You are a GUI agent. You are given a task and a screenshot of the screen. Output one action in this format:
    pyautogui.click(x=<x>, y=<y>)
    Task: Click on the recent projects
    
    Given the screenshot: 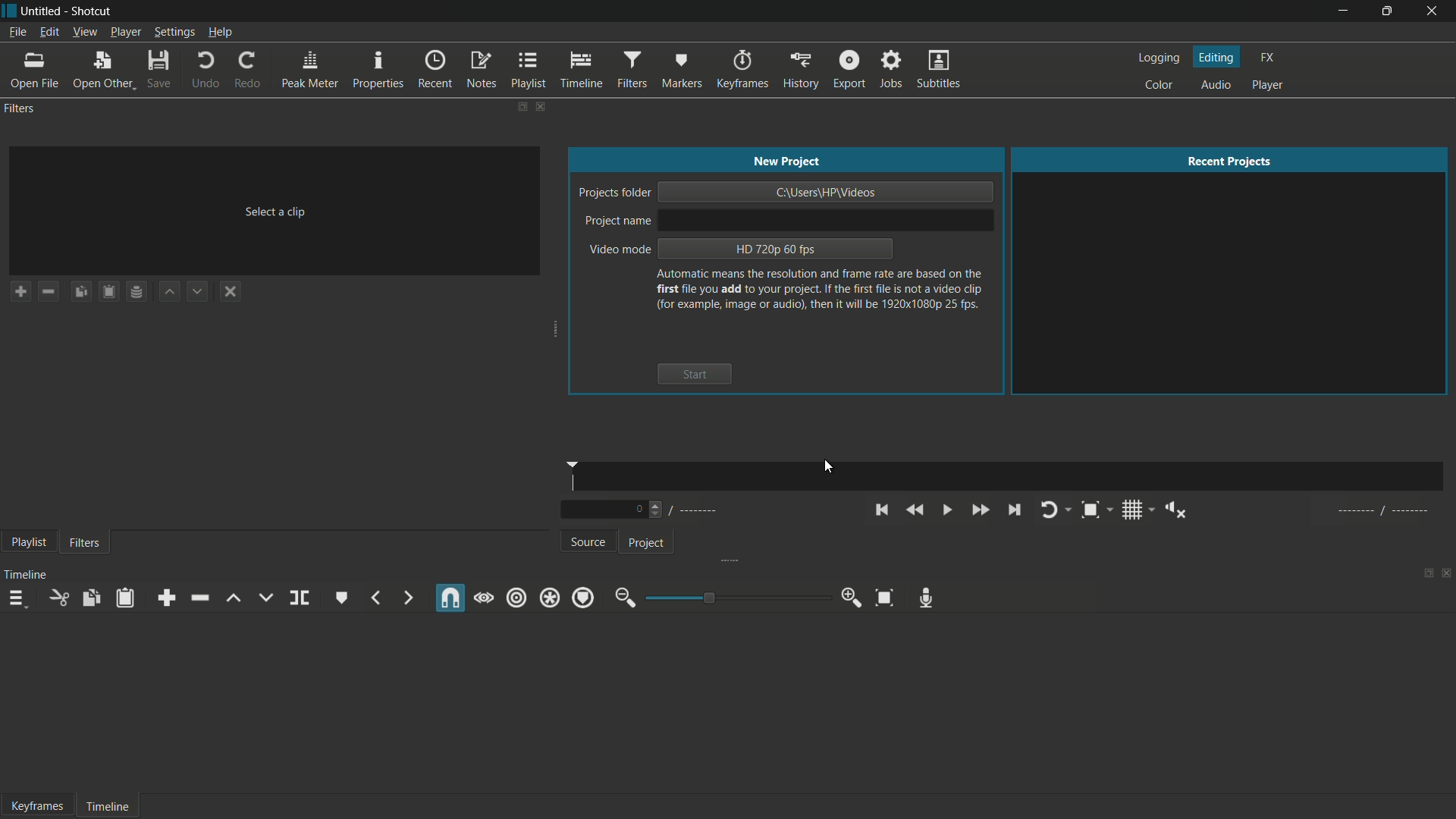 What is the action you would take?
    pyautogui.click(x=1232, y=162)
    